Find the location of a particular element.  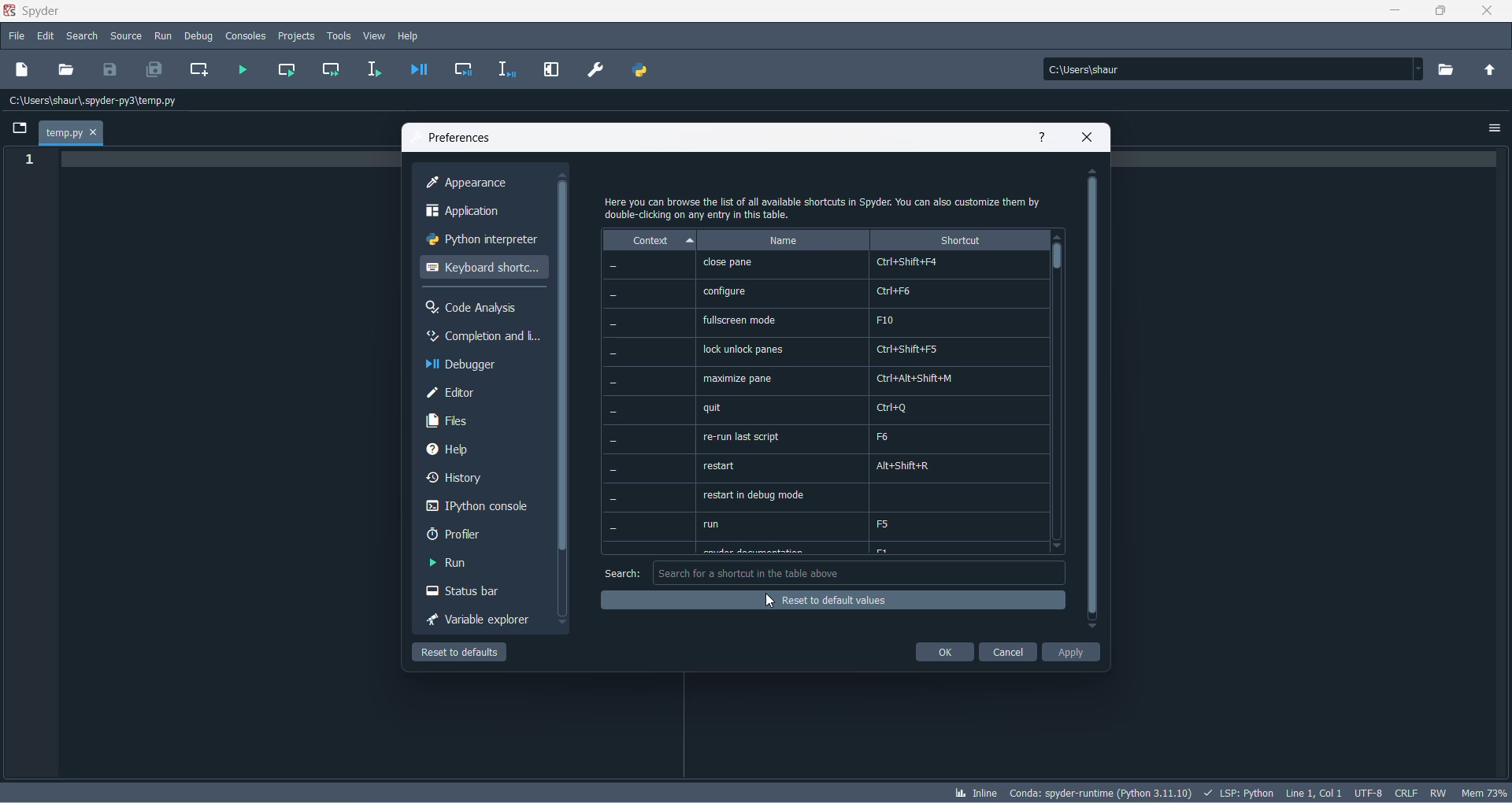

search is located at coordinates (82, 35).